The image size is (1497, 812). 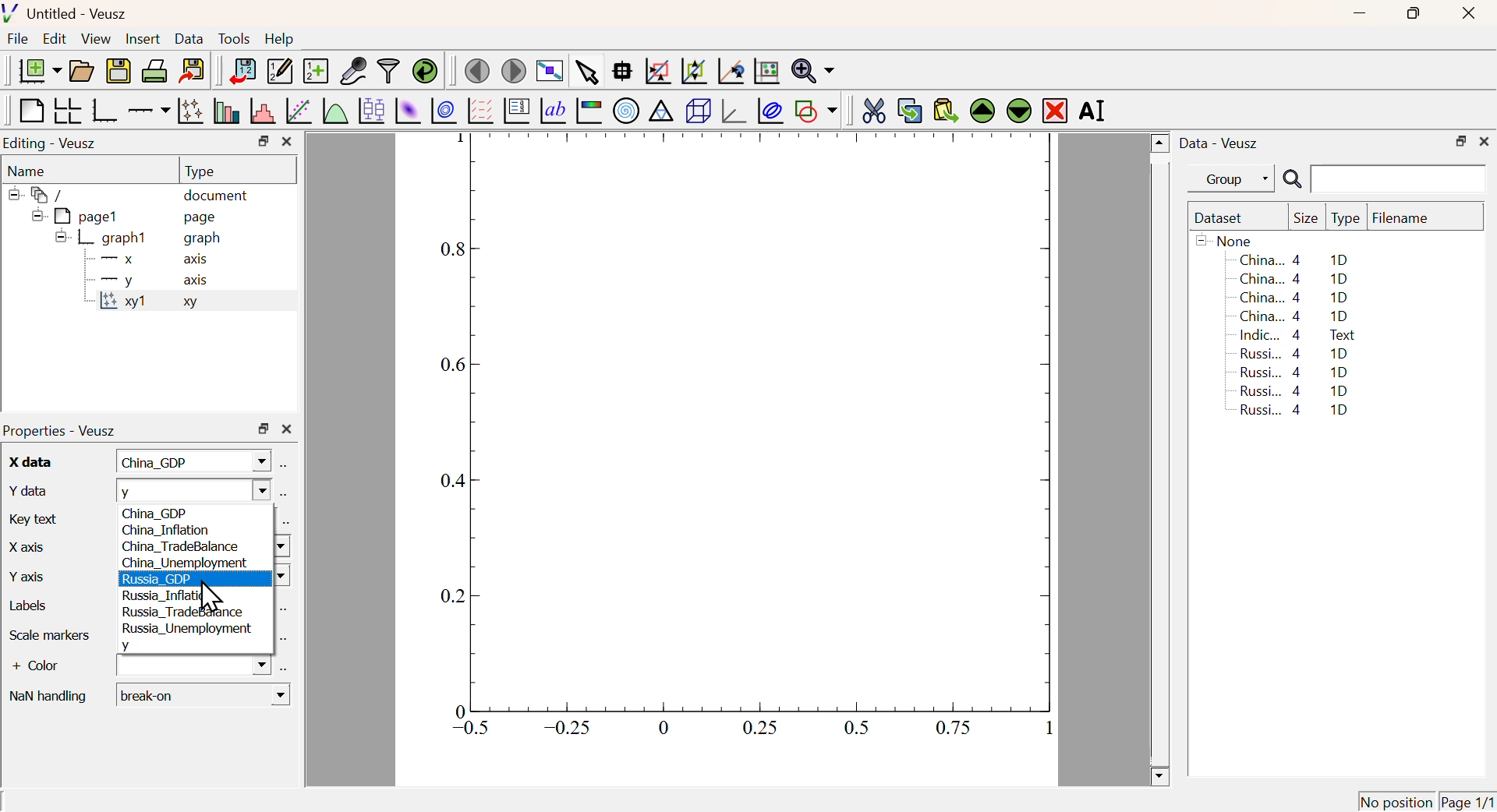 What do you see at coordinates (30, 574) in the screenshot?
I see `Y axis` at bounding box center [30, 574].